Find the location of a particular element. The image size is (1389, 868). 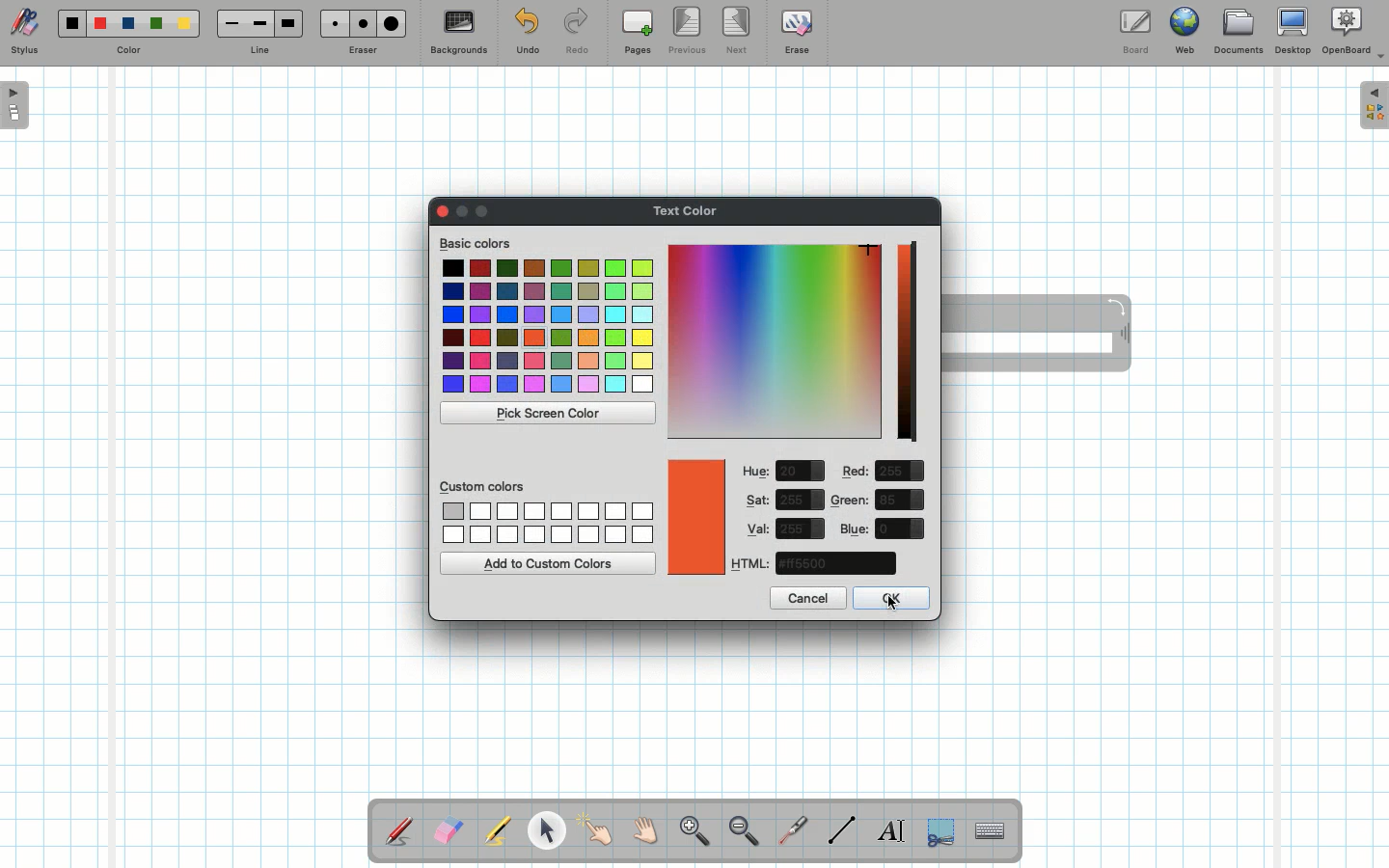

value is located at coordinates (801, 500).